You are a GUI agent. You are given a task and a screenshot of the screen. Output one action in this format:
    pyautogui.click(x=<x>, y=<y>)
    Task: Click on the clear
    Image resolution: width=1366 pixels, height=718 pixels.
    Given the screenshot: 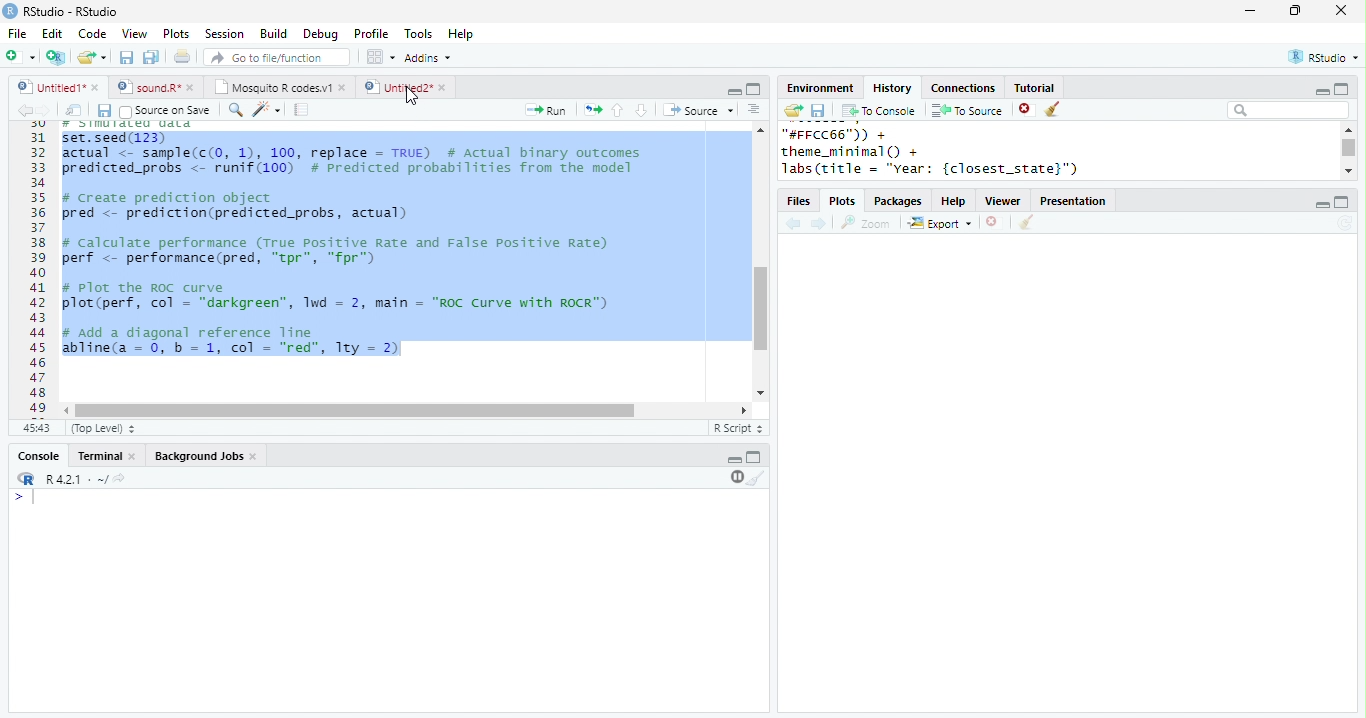 What is the action you would take?
    pyautogui.click(x=757, y=477)
    